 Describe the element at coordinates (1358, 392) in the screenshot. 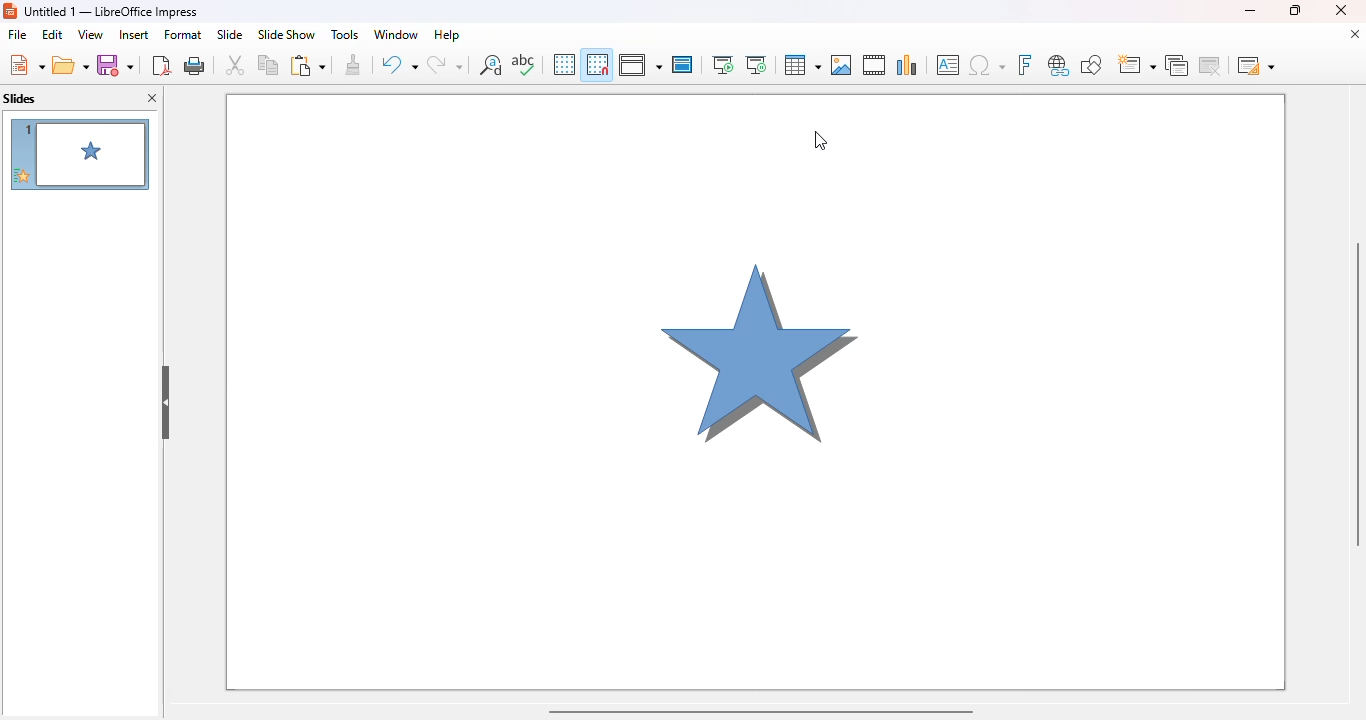

I see `vertical scroll bar` at that location.